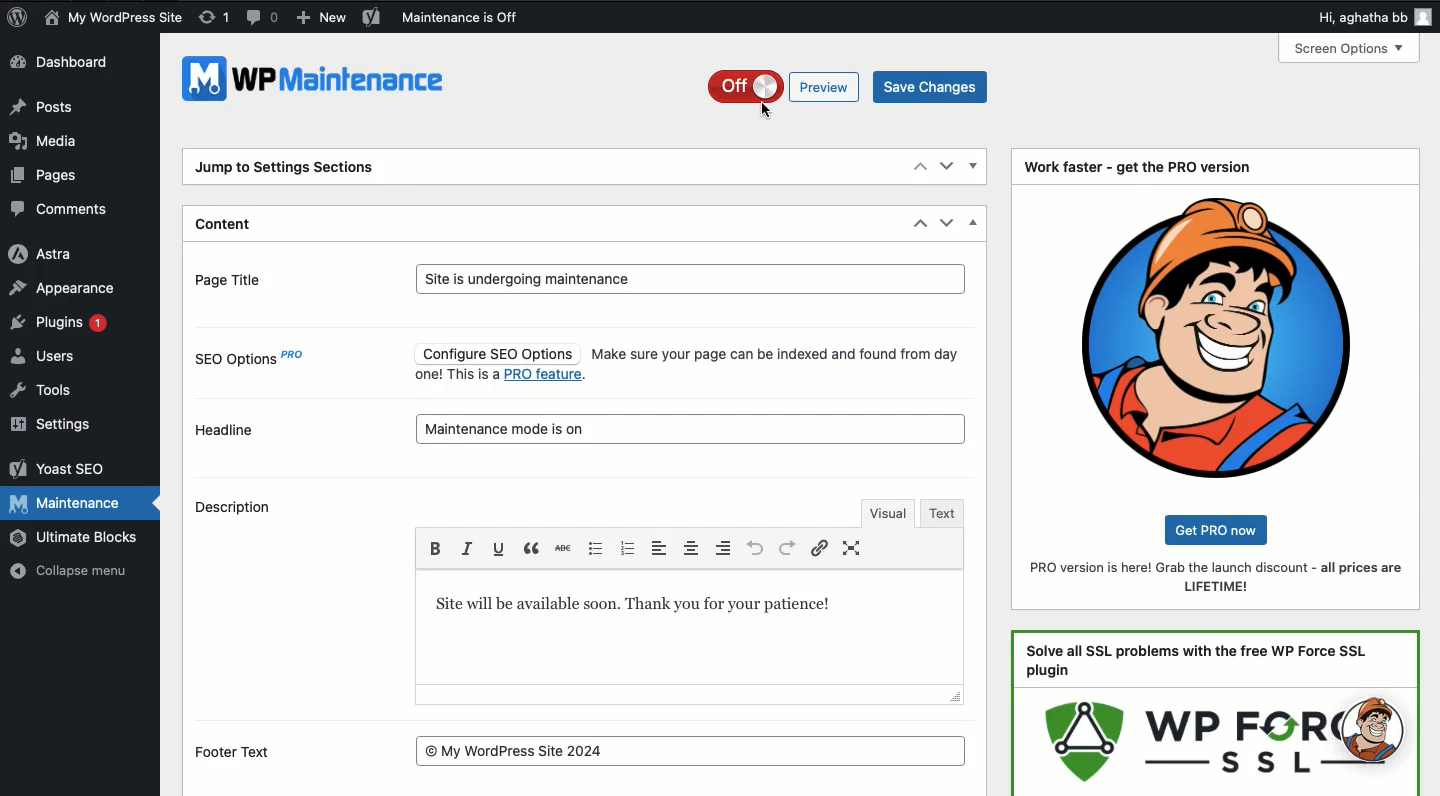 The image size is (1440, 796). Describe the element at coordinates (1222, 529) in the screenshot. I see `get pro now` at that location.